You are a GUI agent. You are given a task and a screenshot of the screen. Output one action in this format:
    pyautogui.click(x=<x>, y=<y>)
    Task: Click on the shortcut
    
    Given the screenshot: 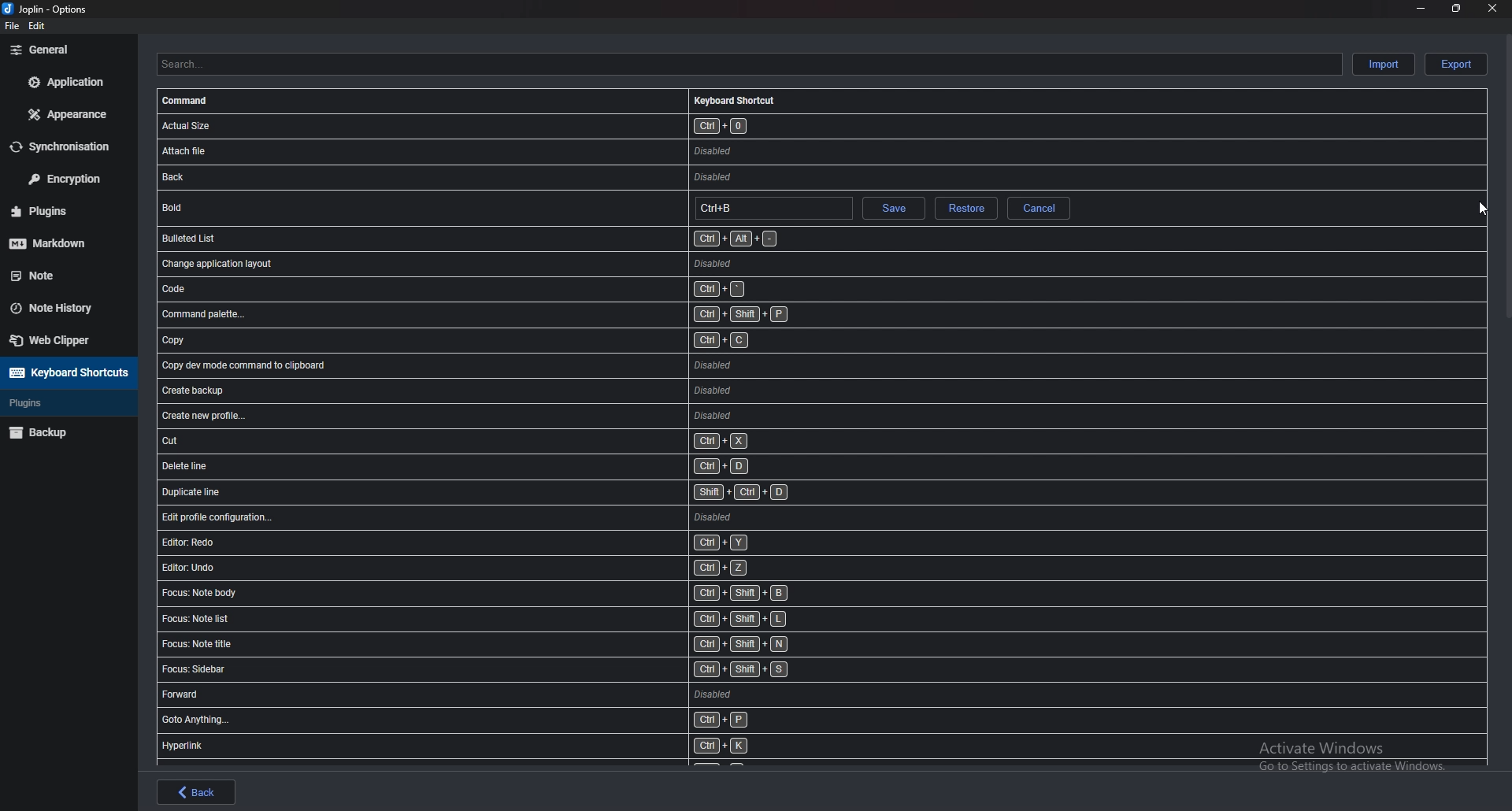 What is the action you would take?
    pyautogui.click(x=523, y=746)
    